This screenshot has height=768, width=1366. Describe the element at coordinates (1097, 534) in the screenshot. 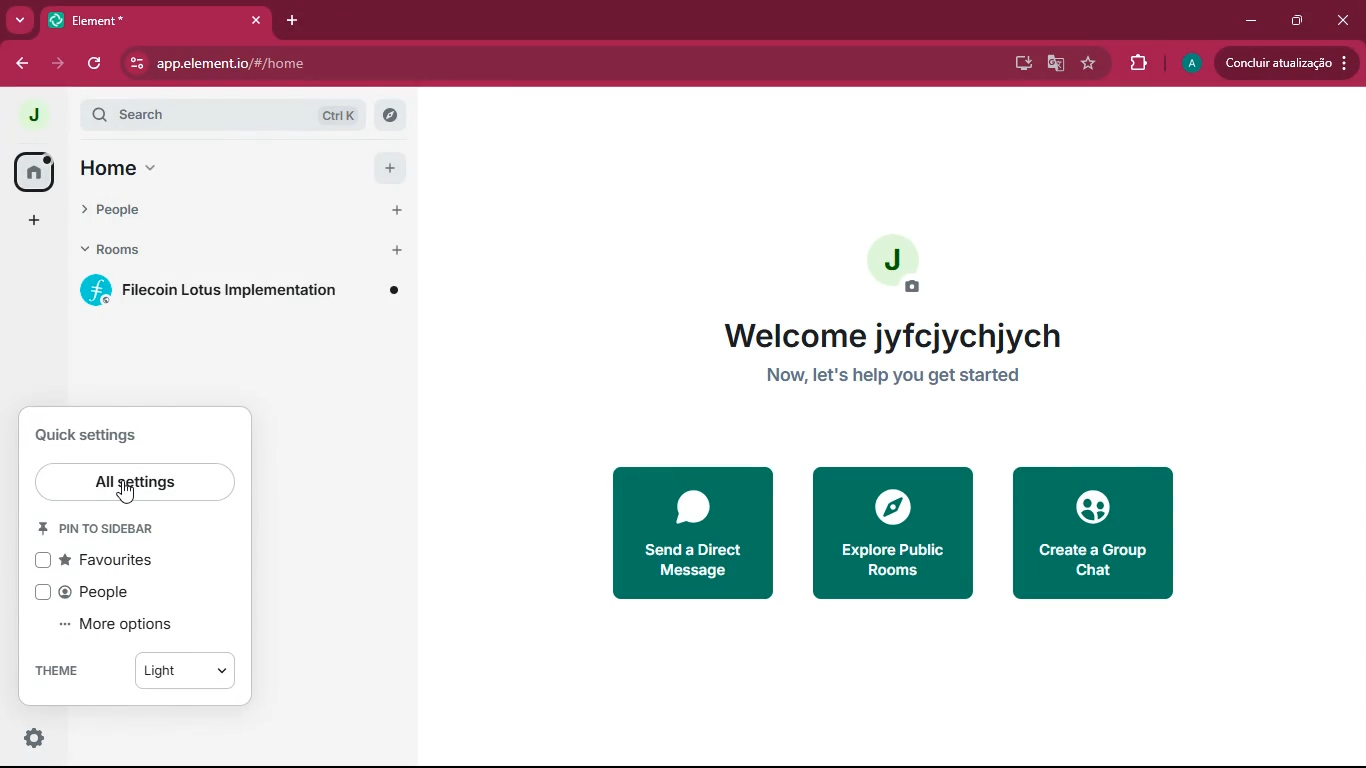

I see `create a group chat` at that location.